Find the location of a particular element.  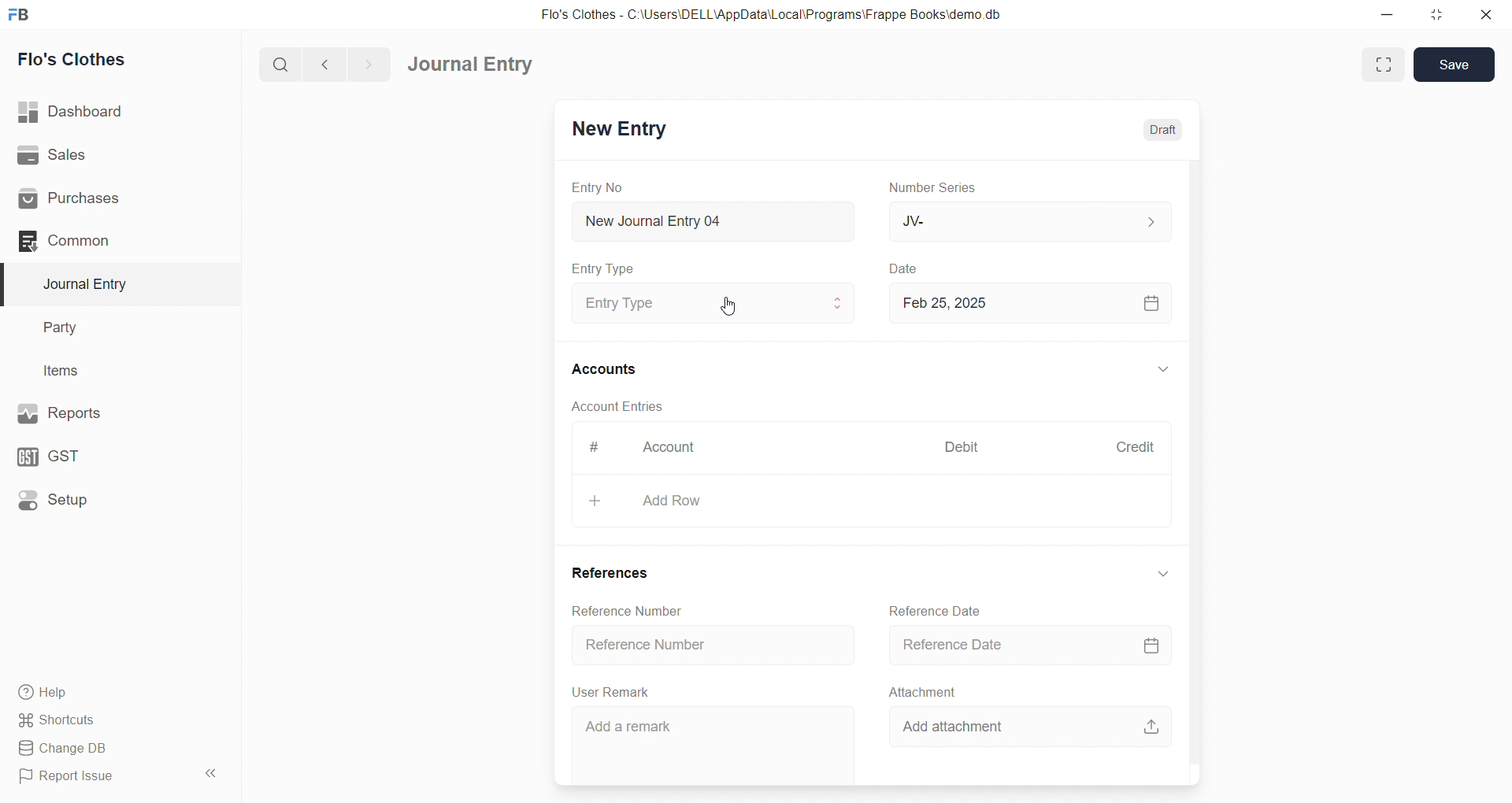

search is located at coordinates (283, 63).